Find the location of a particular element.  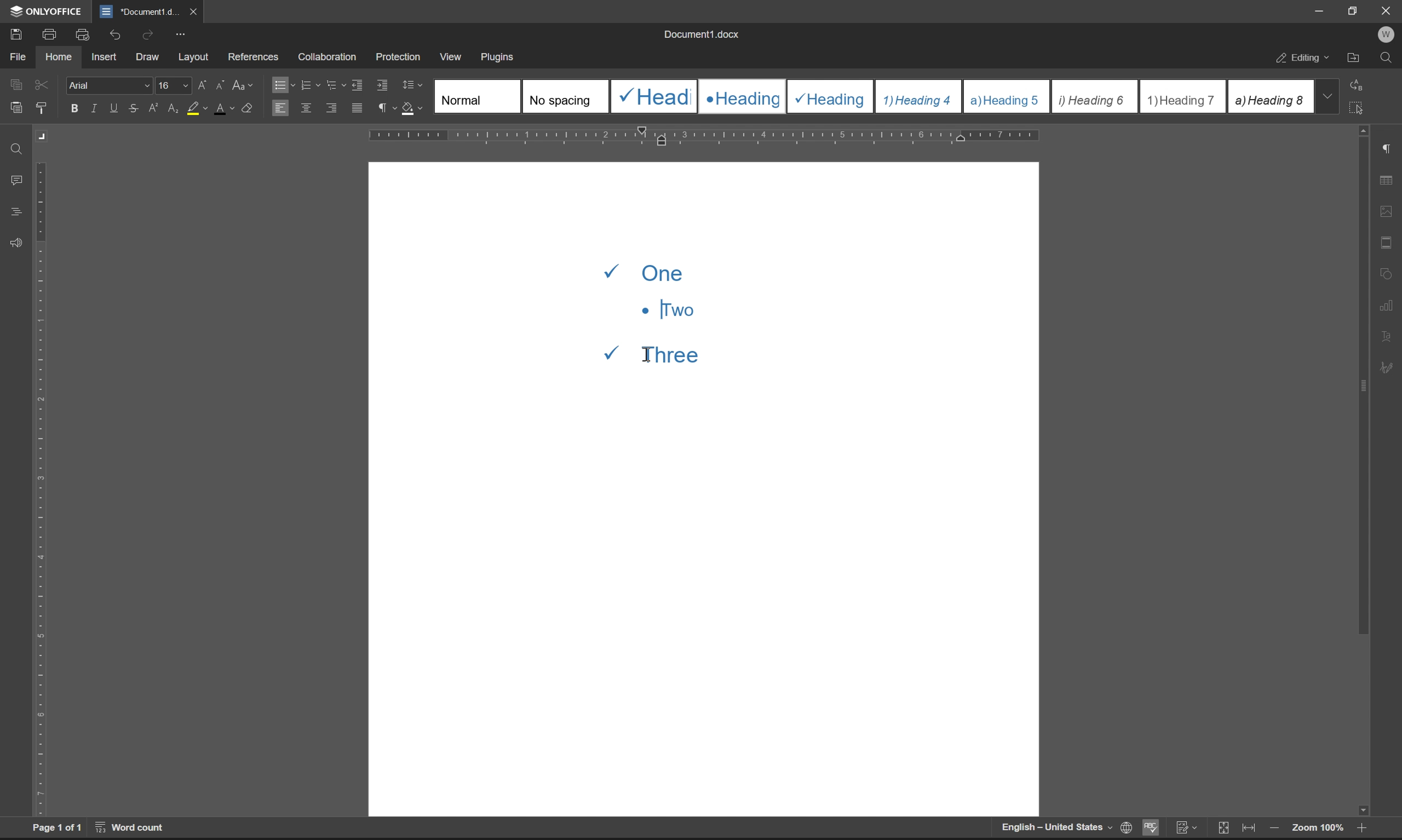

Close is located at coordinates (1387, 11).